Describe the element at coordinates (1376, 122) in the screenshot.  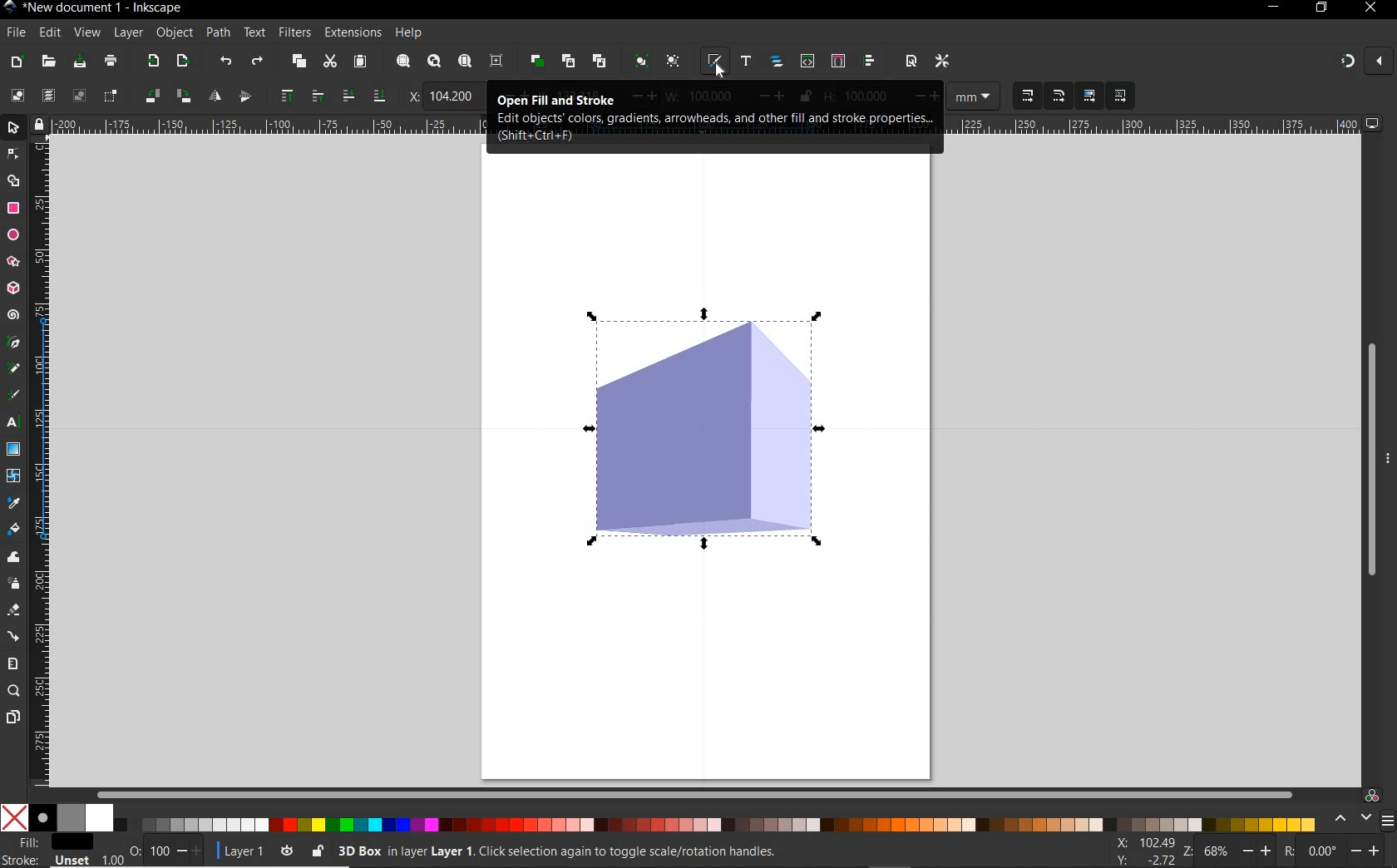
I see `computer icon` at that location.